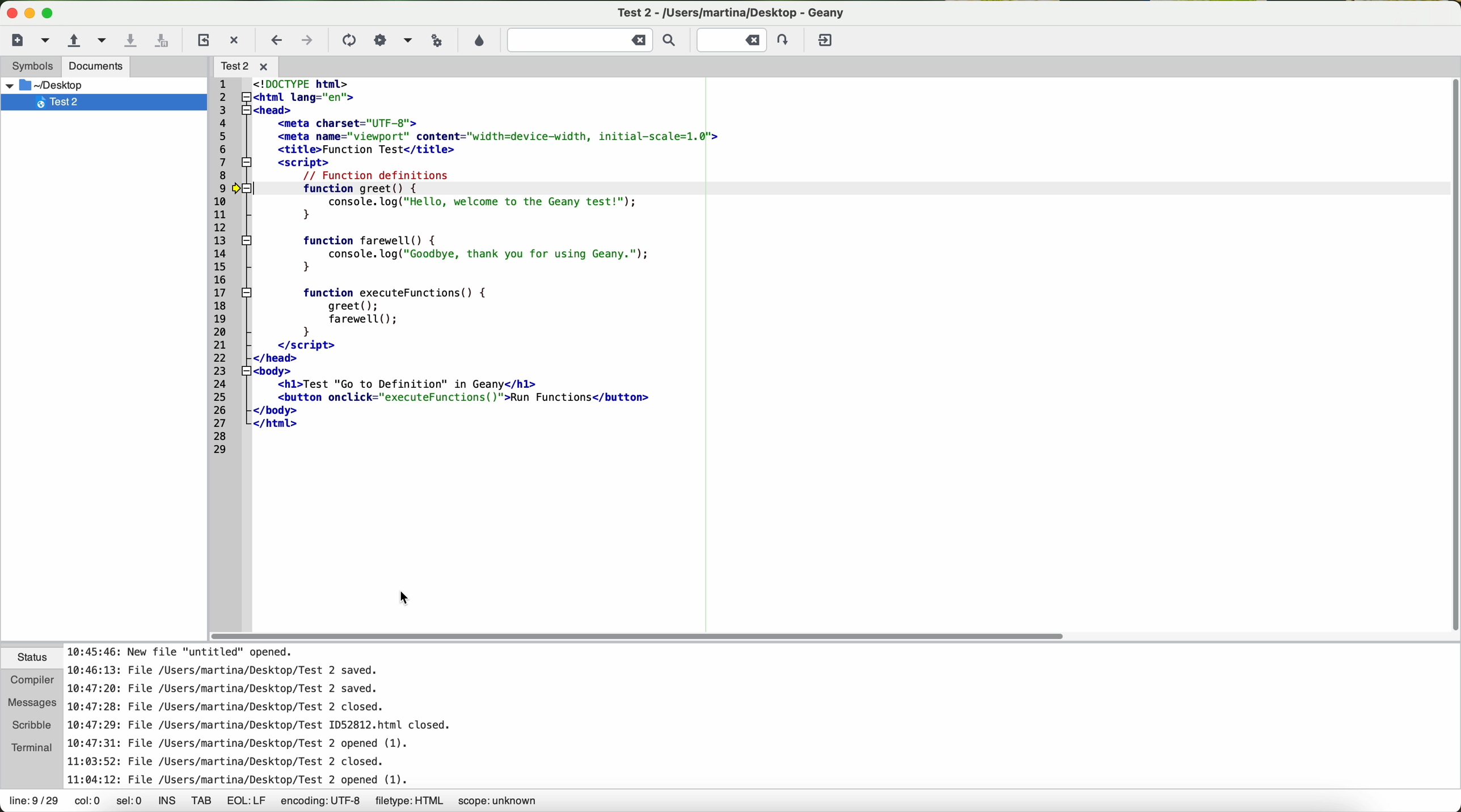 This screenshot has height=812, width=1461. I want to click on icon, so click(347, 41).